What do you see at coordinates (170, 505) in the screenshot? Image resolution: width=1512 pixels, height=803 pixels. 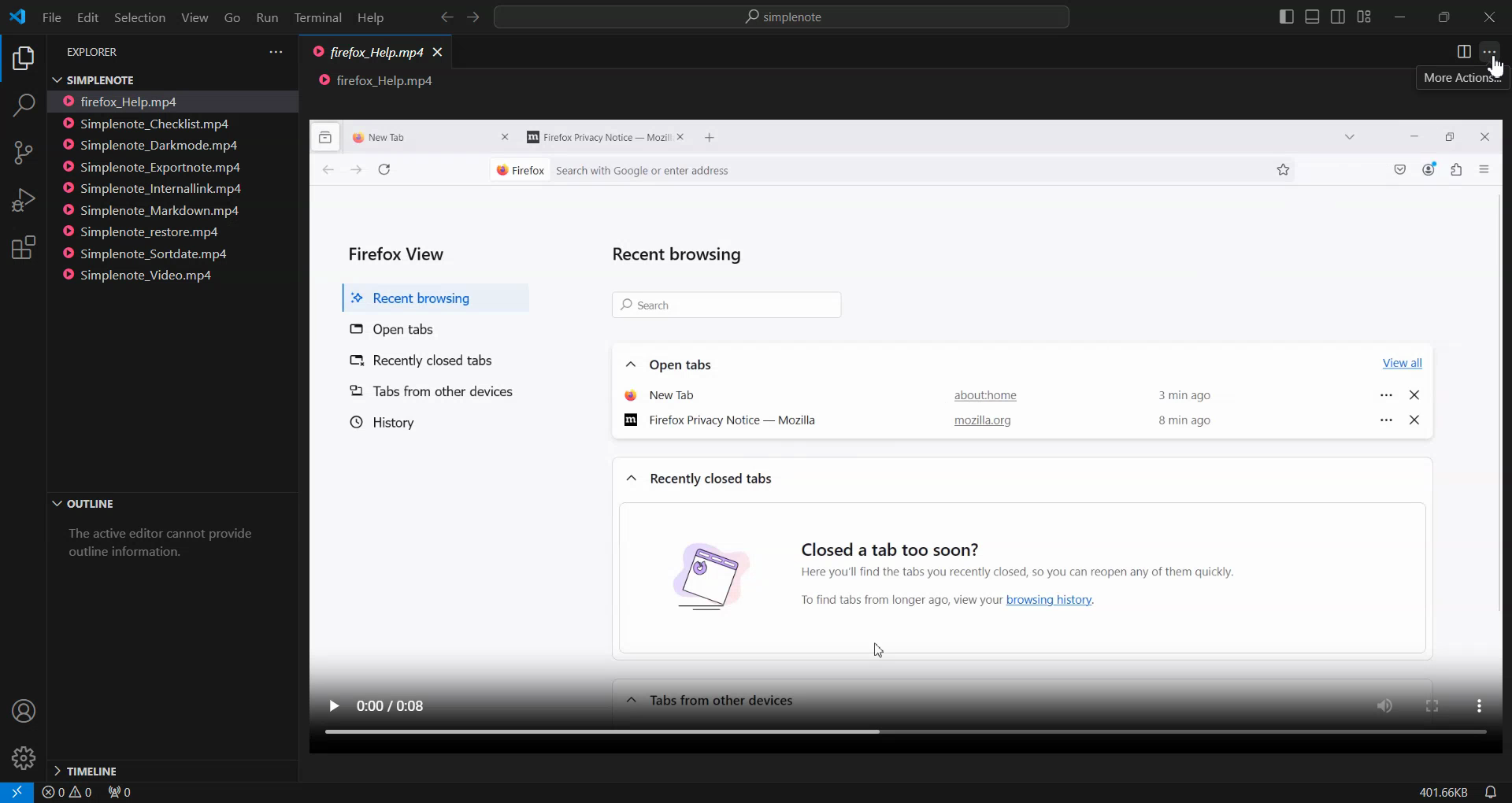 I see `Outline` at bounding box center [170, 505].